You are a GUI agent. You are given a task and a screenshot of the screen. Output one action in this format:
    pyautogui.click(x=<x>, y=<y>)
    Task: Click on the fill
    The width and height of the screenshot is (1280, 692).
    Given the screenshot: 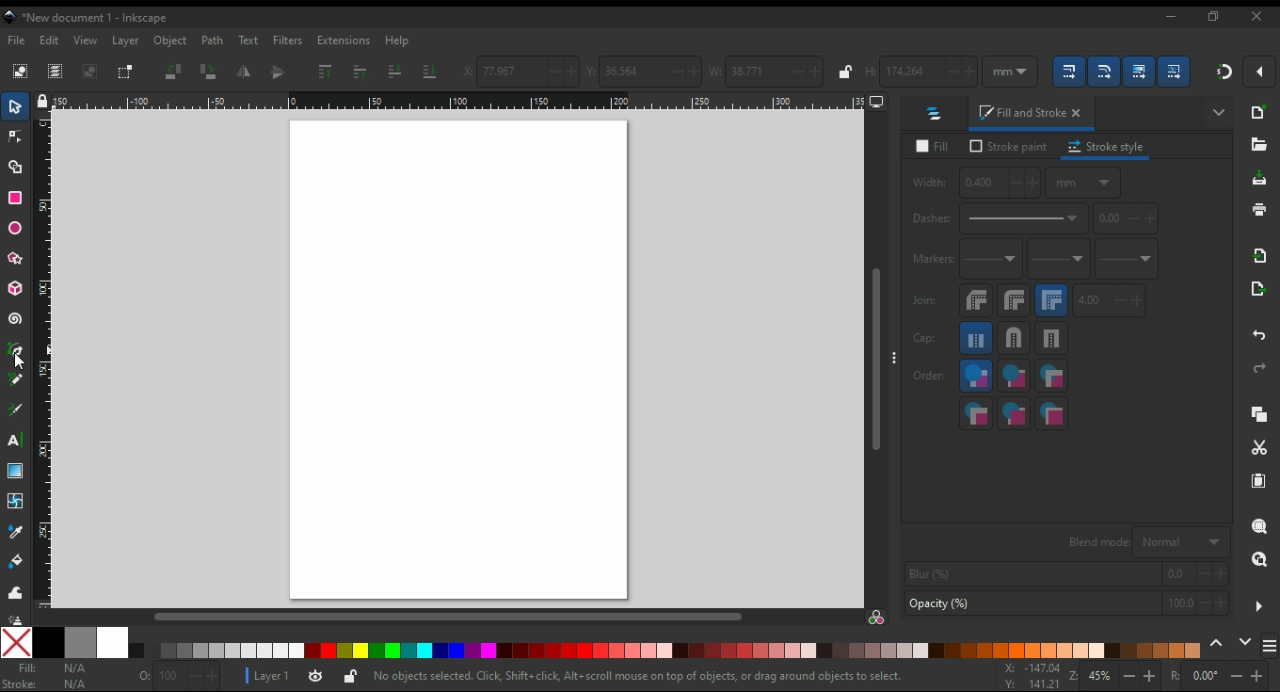 What is the action you would take?
    pyautogui.click(x=932, y=146)
    